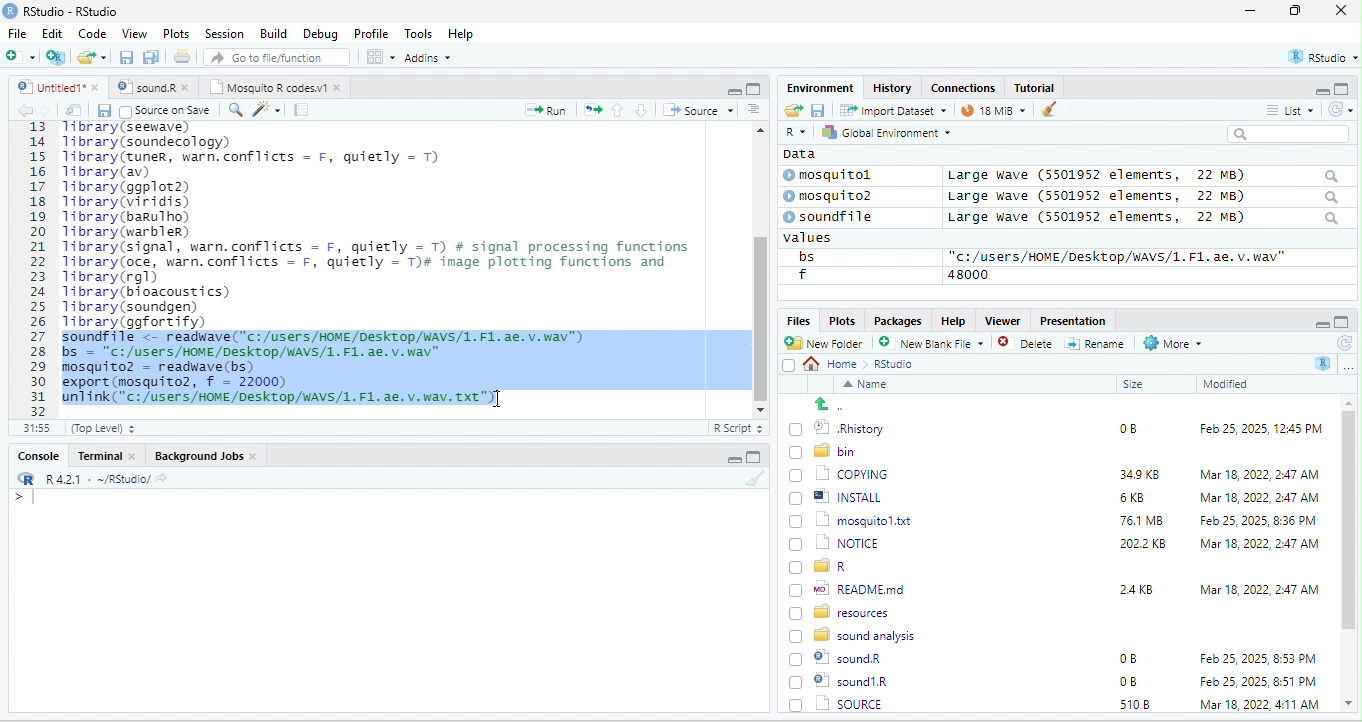  I want to click on search, so click(1288, 134).